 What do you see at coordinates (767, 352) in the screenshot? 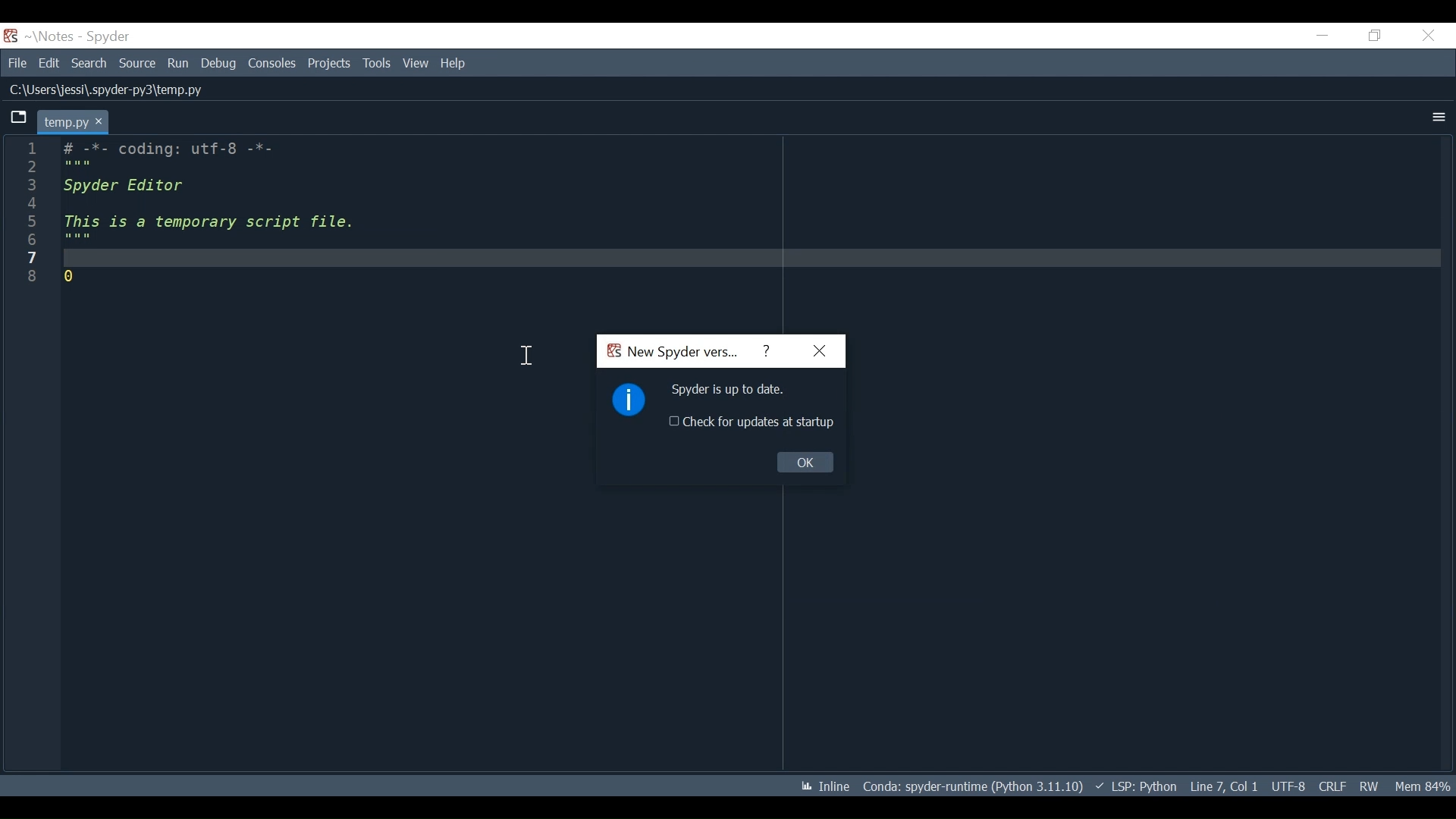
I see `Help` at bounding box center [767, 352].